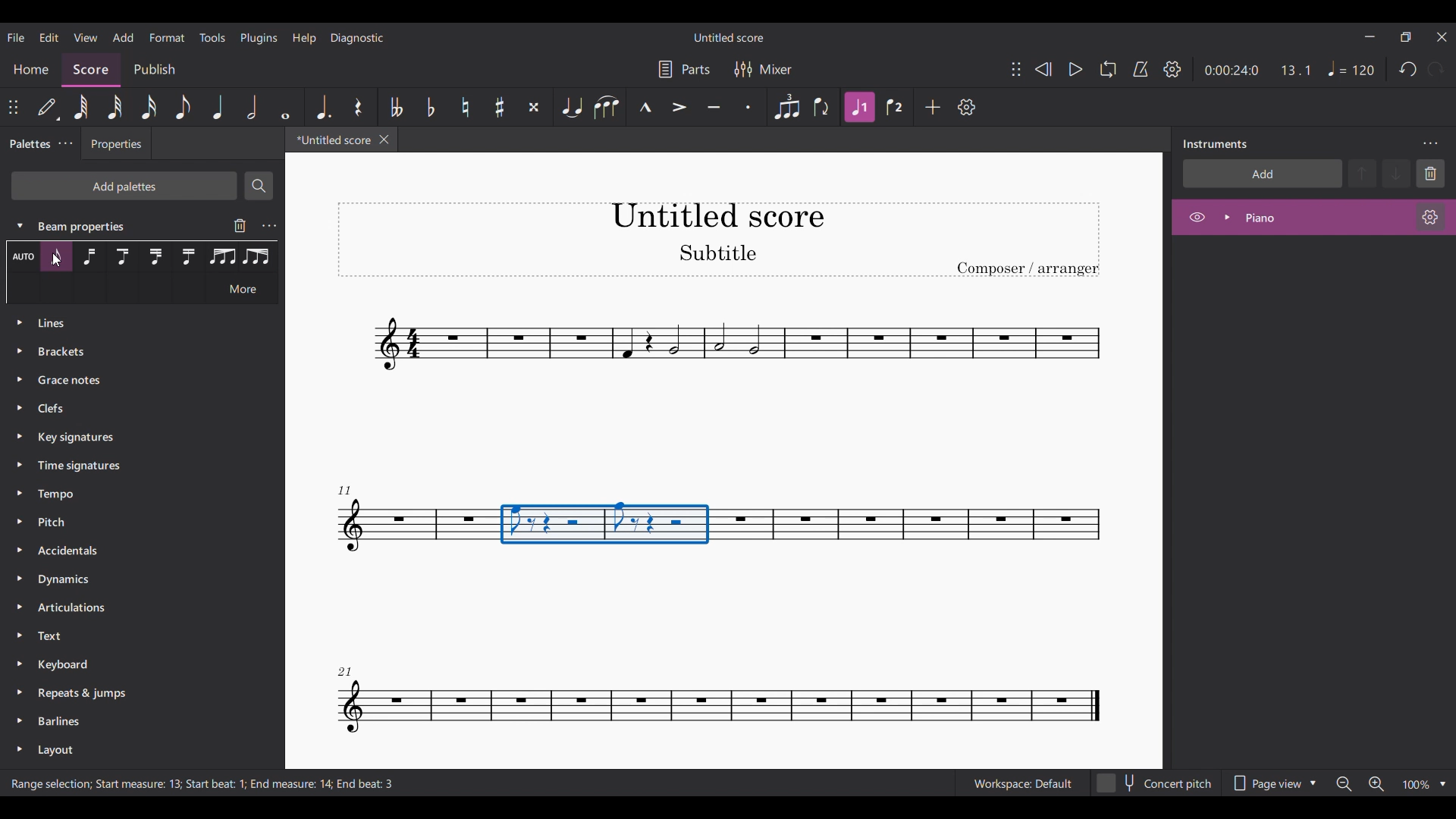 Image resolution: width=1456 pixels, height=819 pixels. Describe the element at coordinates (49, 107) in the screenshot. I see `Default` at that location.